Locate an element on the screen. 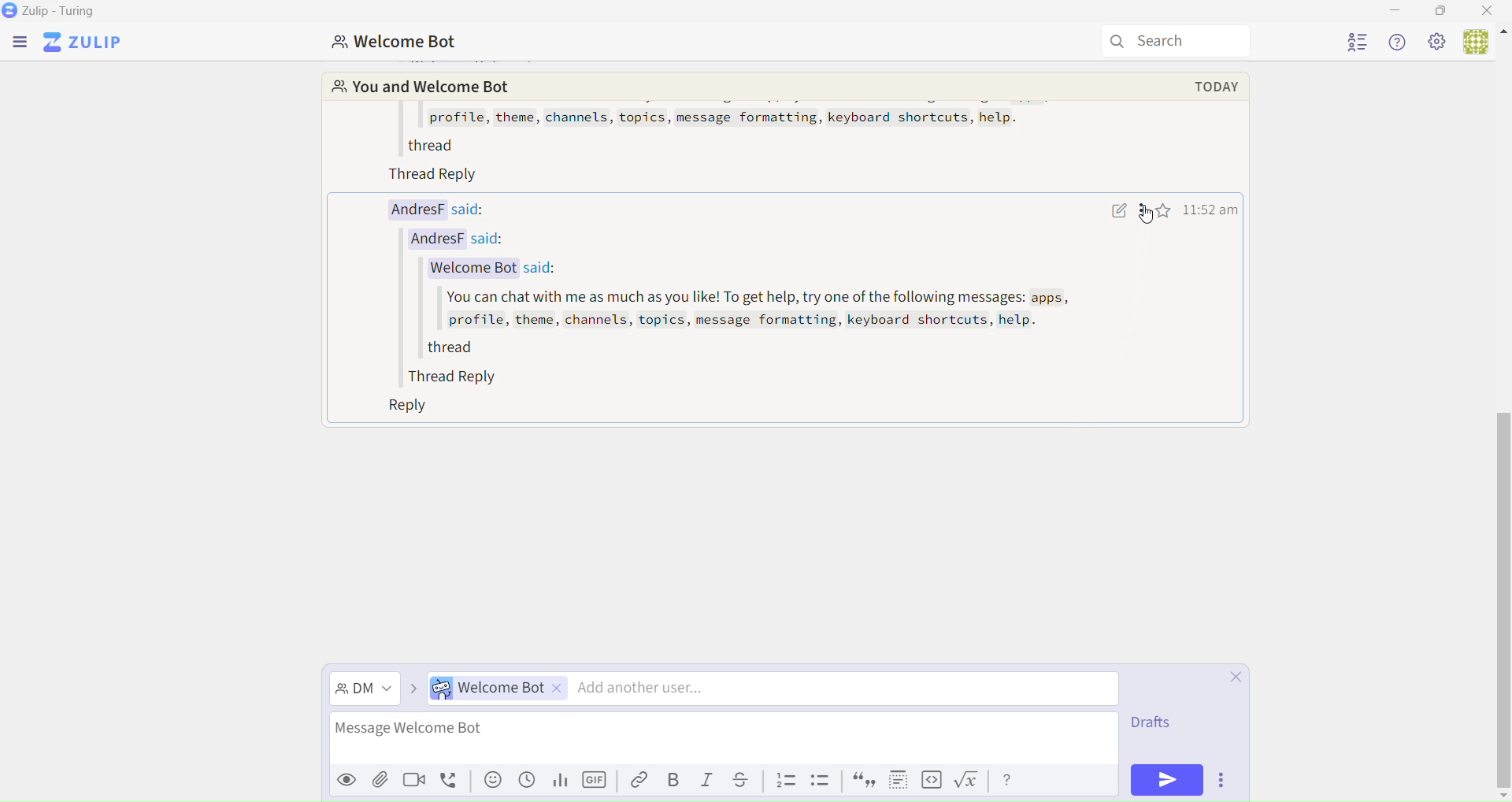 This screenshot has width=1512, height=802. cursor is located at coordinates (1148, 221).